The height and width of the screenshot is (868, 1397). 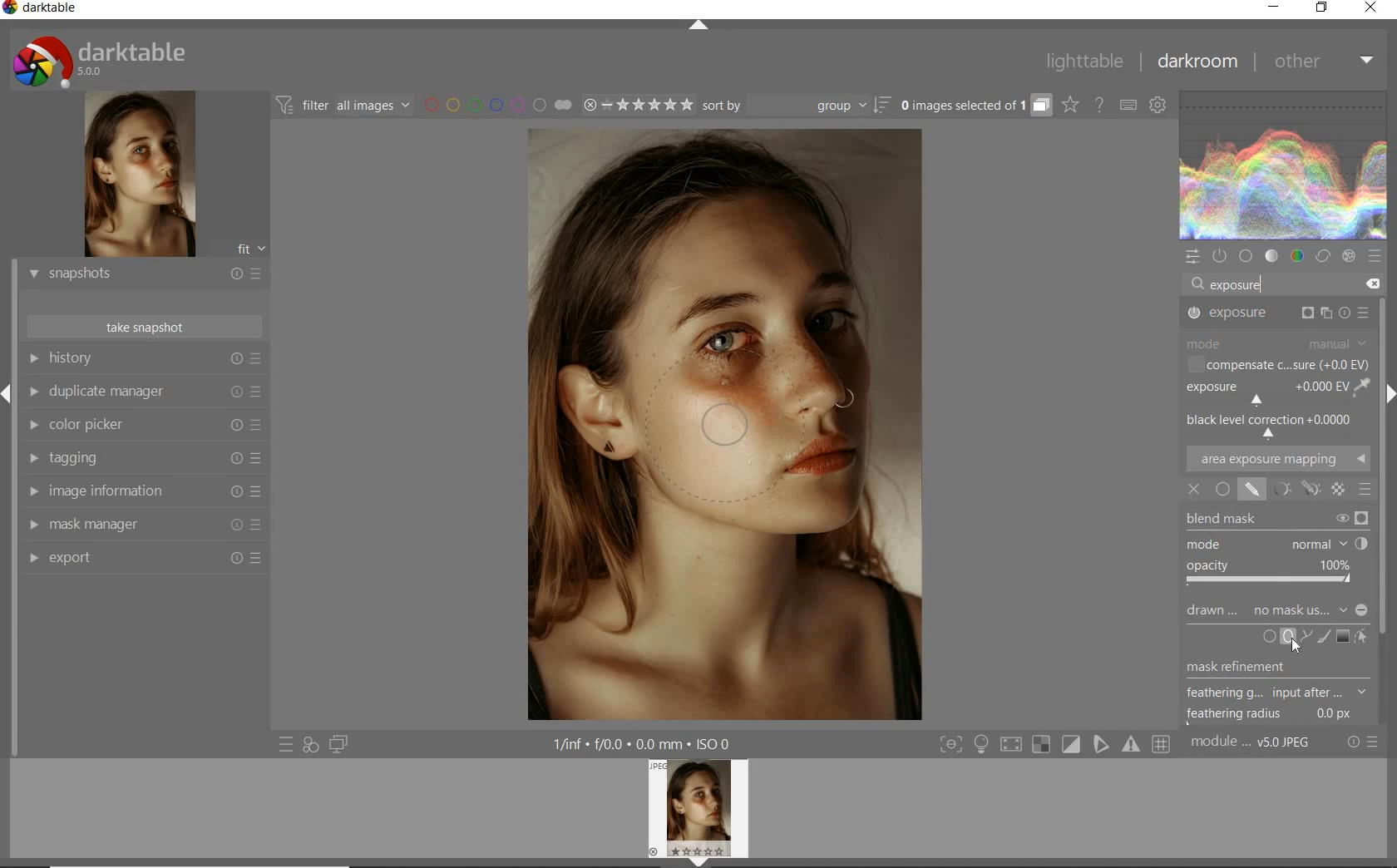 I want to click on FEATHERING G..., so click(x=1276, y=693).